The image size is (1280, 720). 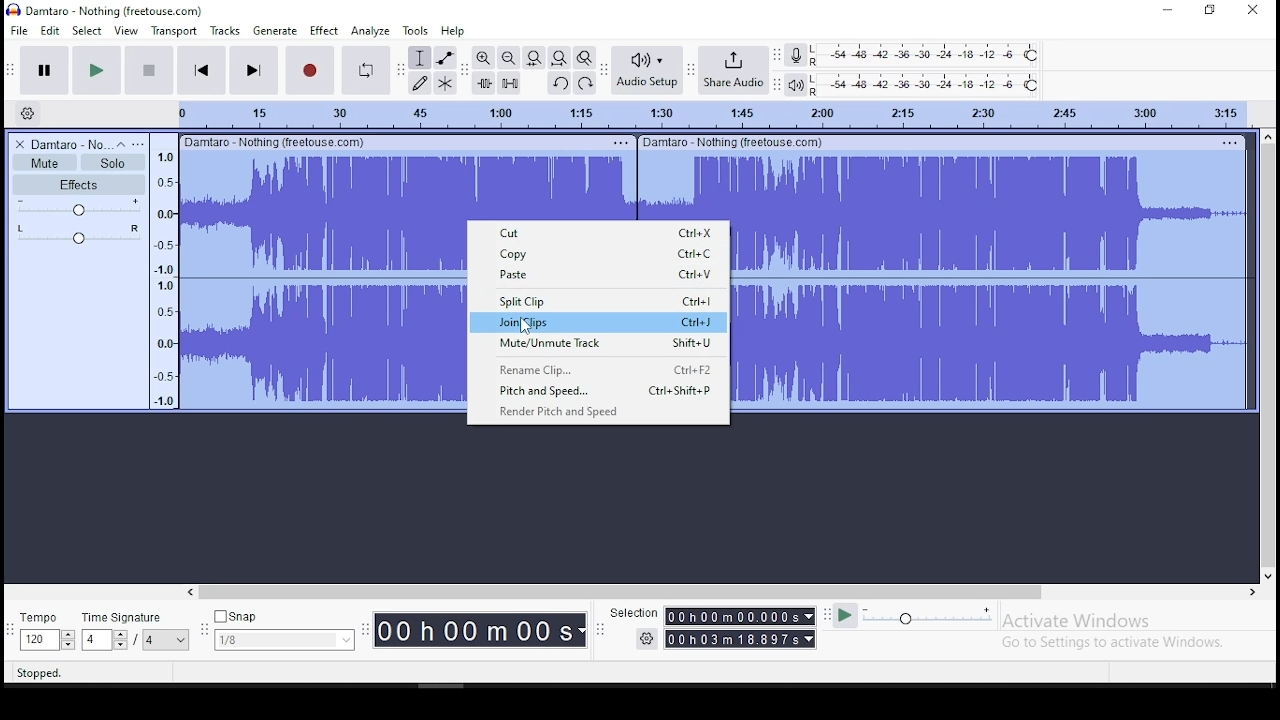 What do you see at coordinates (633, 613) in the screenshot?
I see `selection` at bounding box center [633, 613].